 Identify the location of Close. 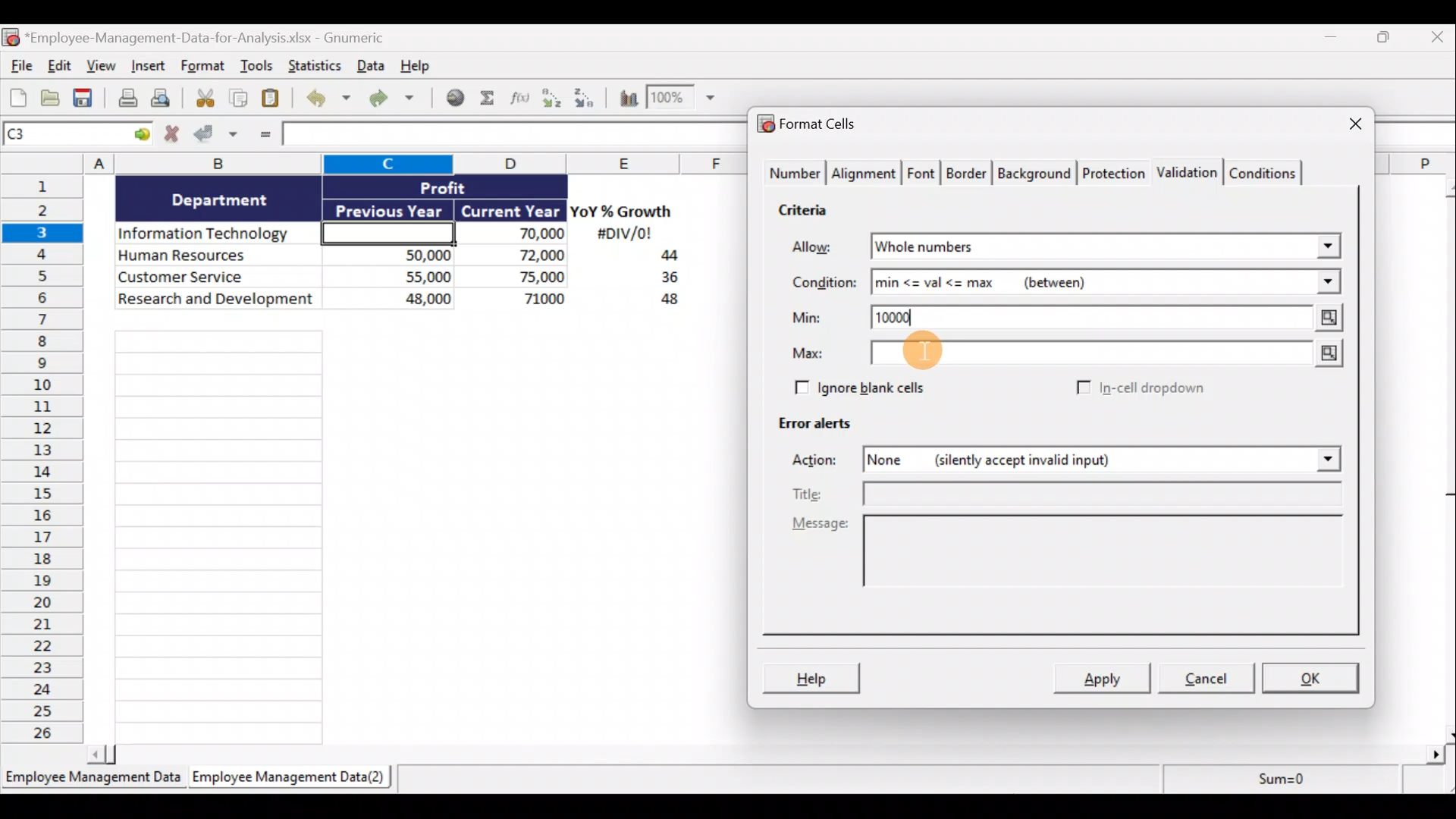
(1434, 40).